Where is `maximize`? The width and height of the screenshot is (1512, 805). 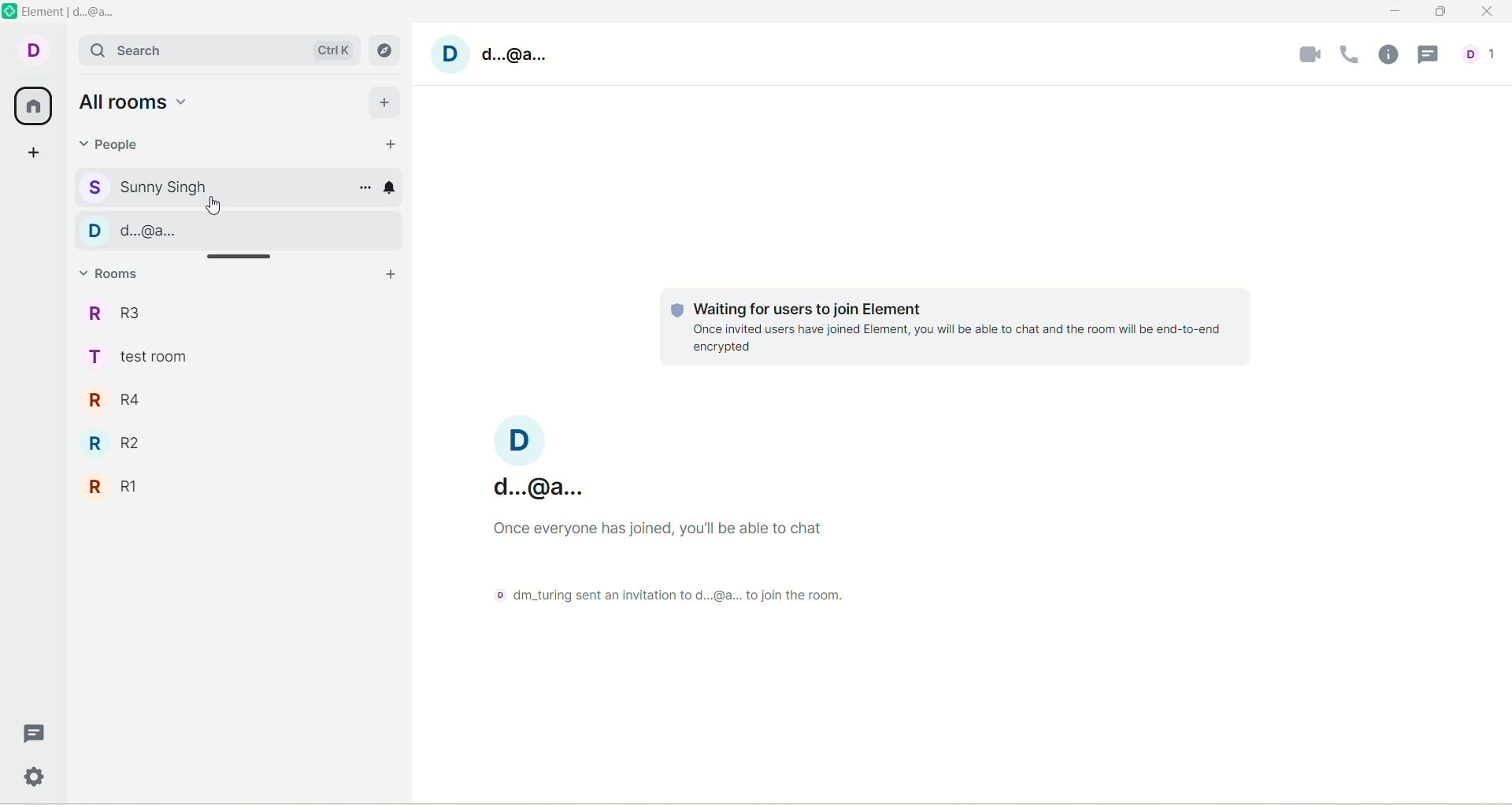 maximize is located at coordinates (1440, 12).